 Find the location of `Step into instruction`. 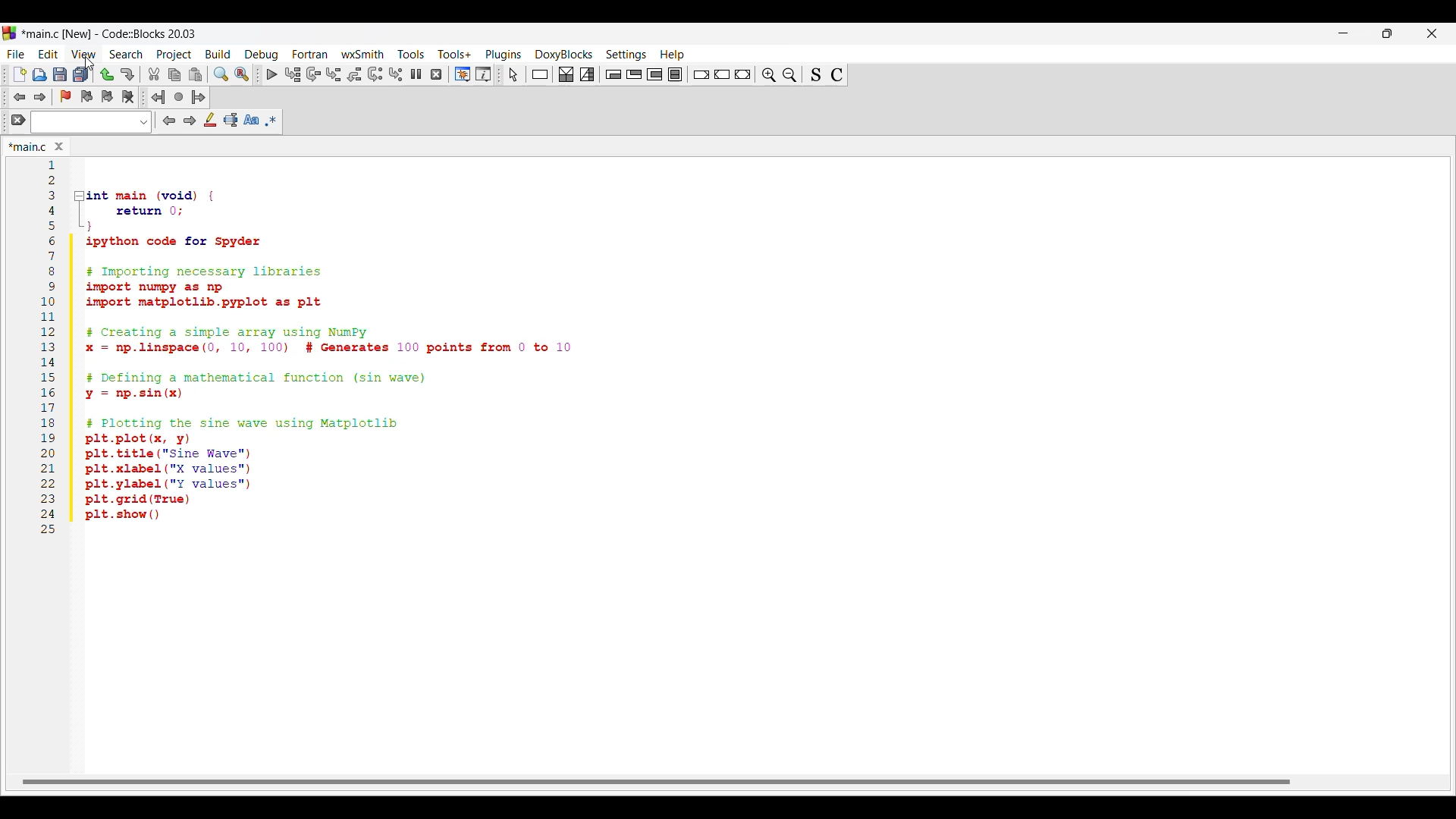

Step into instruction is located at coordinates (396, 74).